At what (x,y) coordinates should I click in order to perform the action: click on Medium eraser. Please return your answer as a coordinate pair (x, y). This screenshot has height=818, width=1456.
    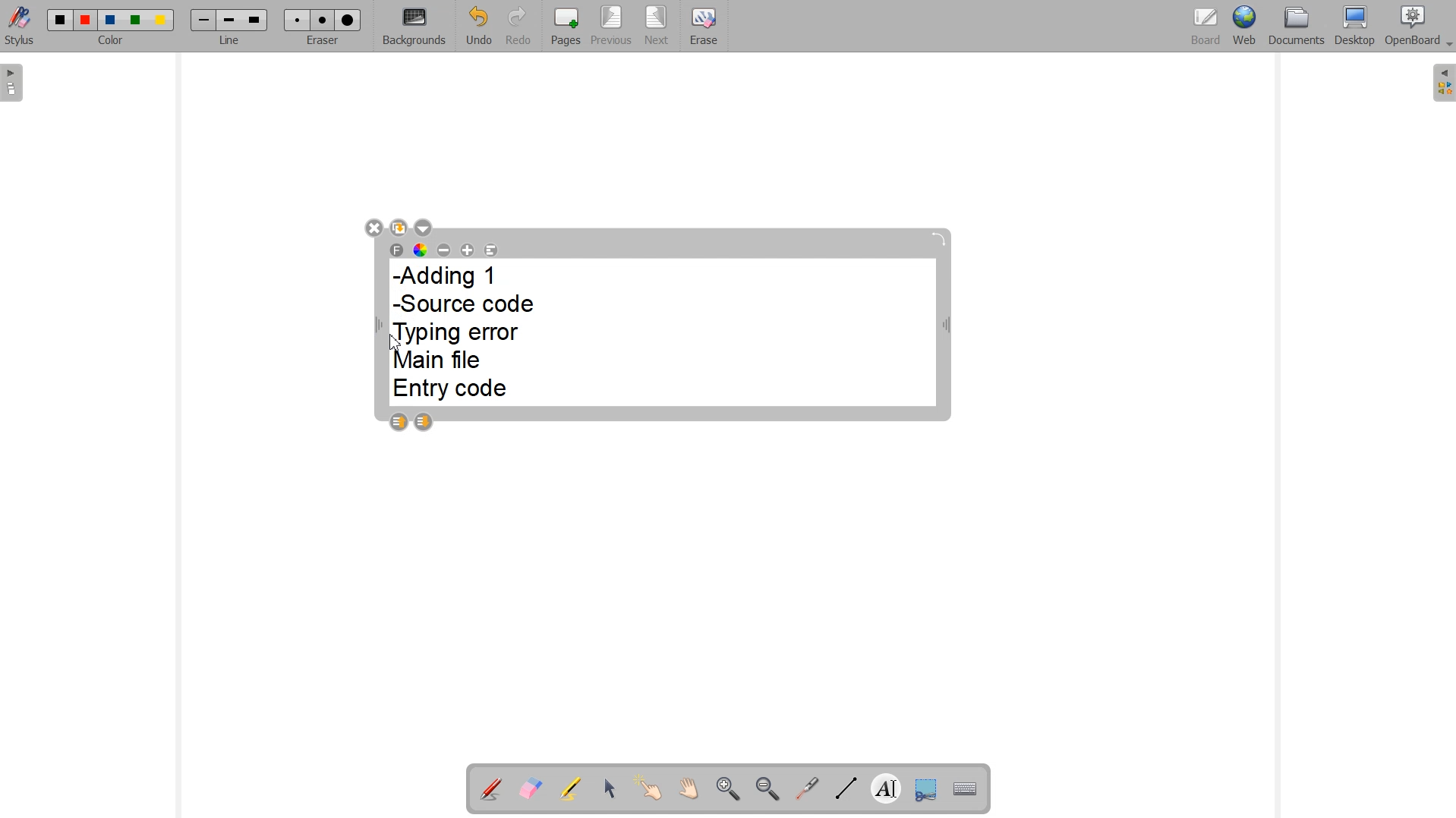
    Looking at the image, I should click on (323, 20).